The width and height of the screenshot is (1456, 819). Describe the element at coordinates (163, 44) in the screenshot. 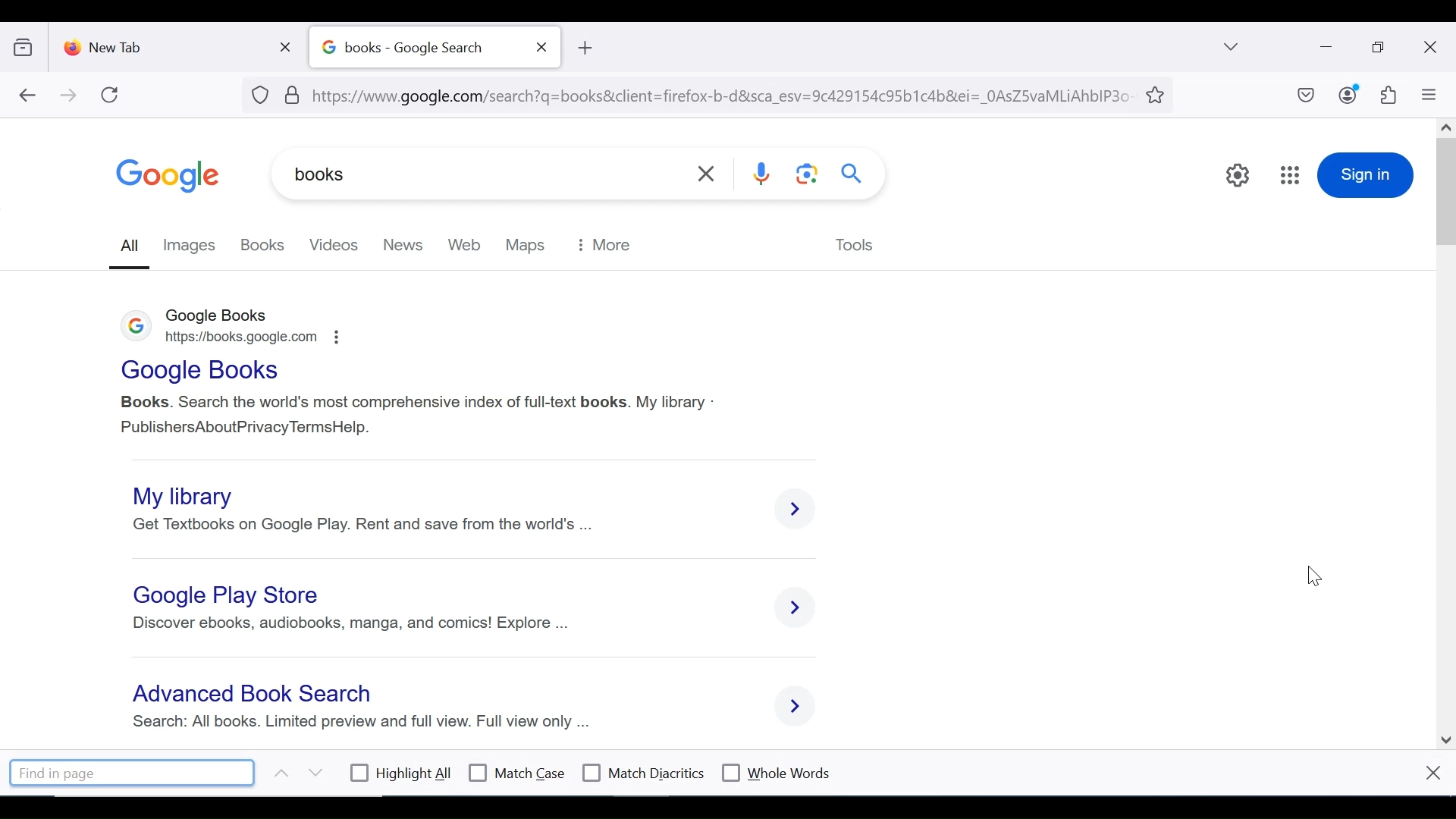

I see `new tab` at that location.